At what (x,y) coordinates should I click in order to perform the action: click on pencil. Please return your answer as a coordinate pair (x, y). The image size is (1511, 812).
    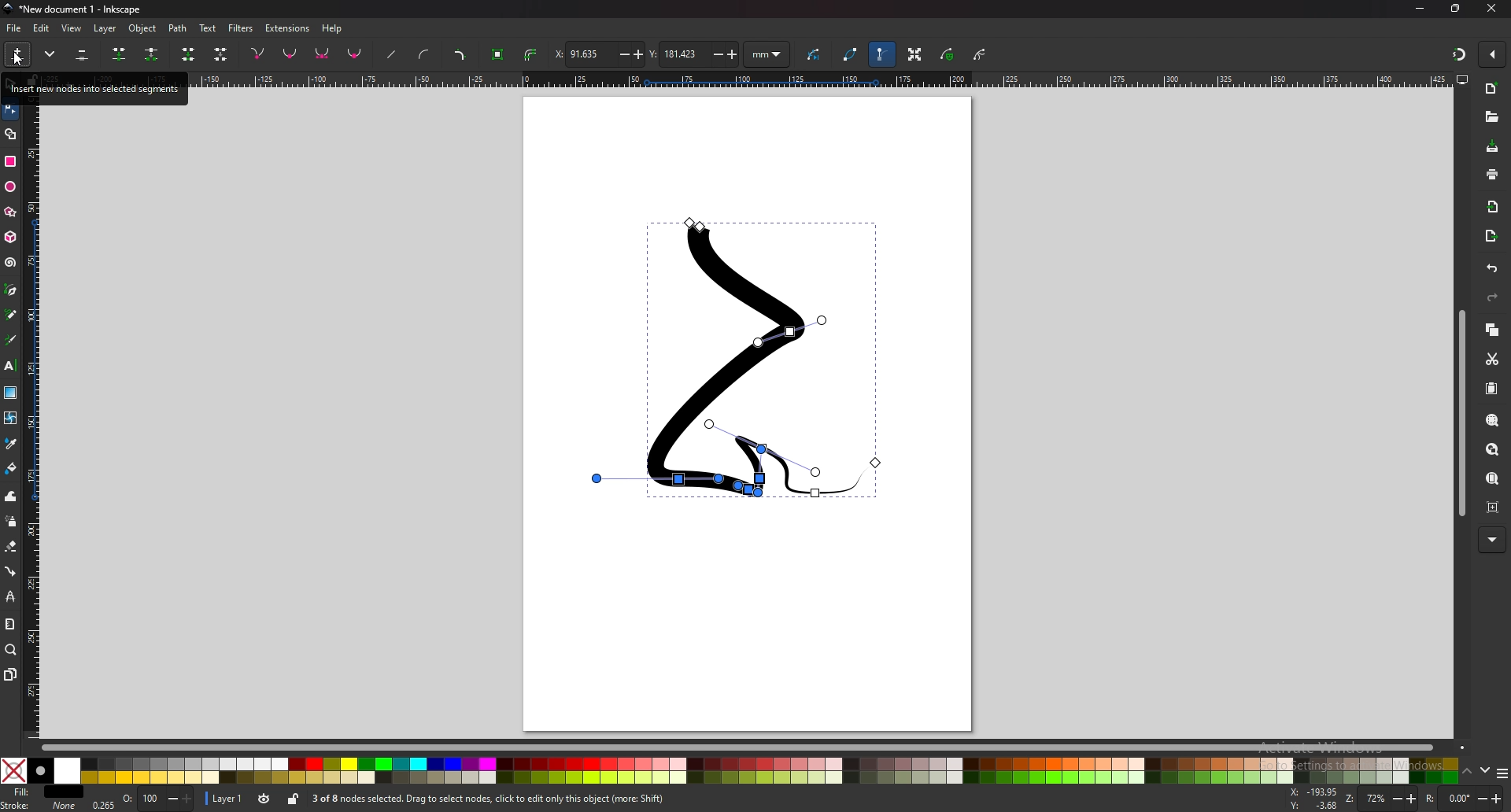
    Looking at the image, I should click on (11, 314).